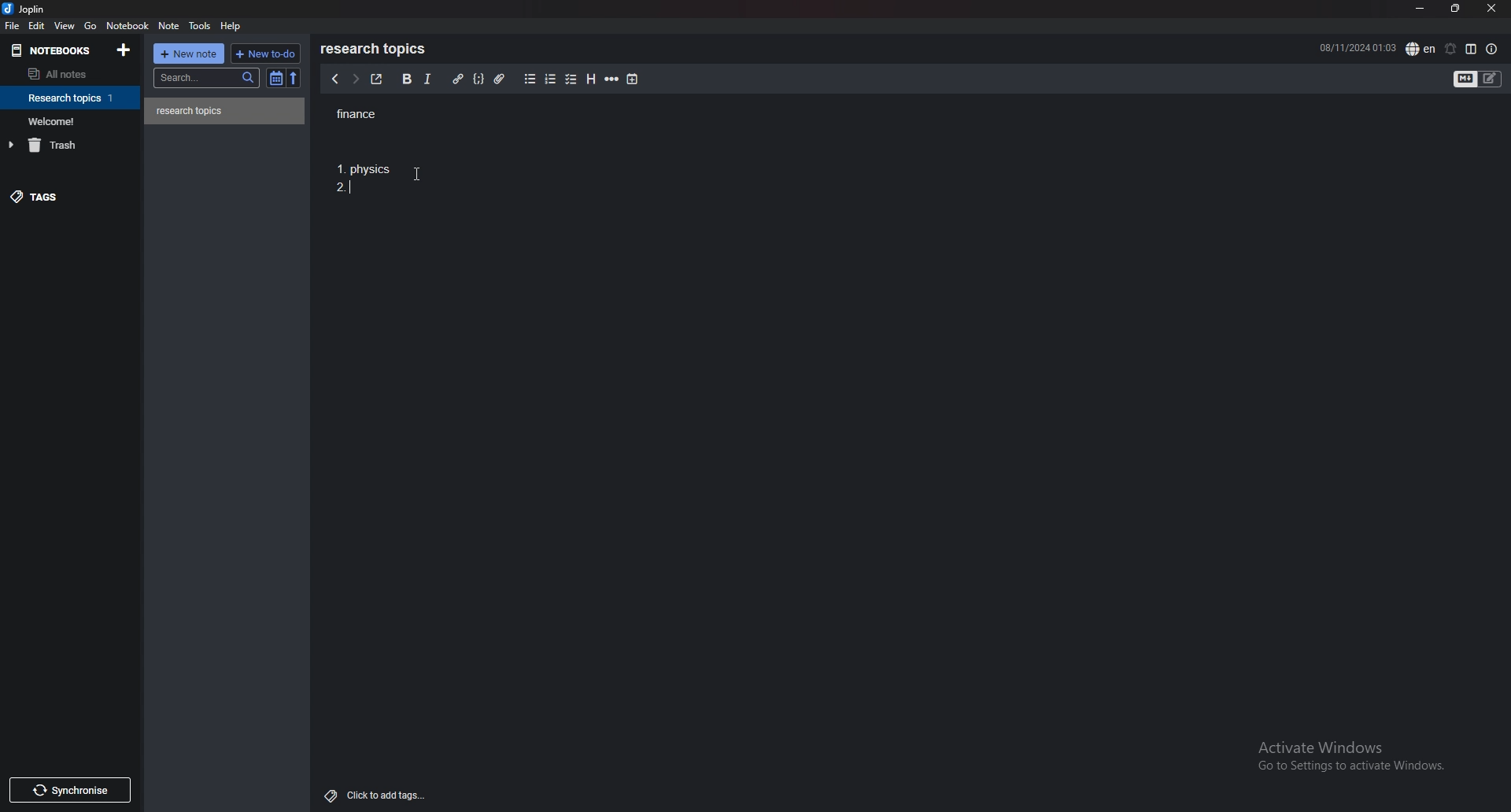 The image size is (1511, 812). I want to click on cursor, so click(416, 174).